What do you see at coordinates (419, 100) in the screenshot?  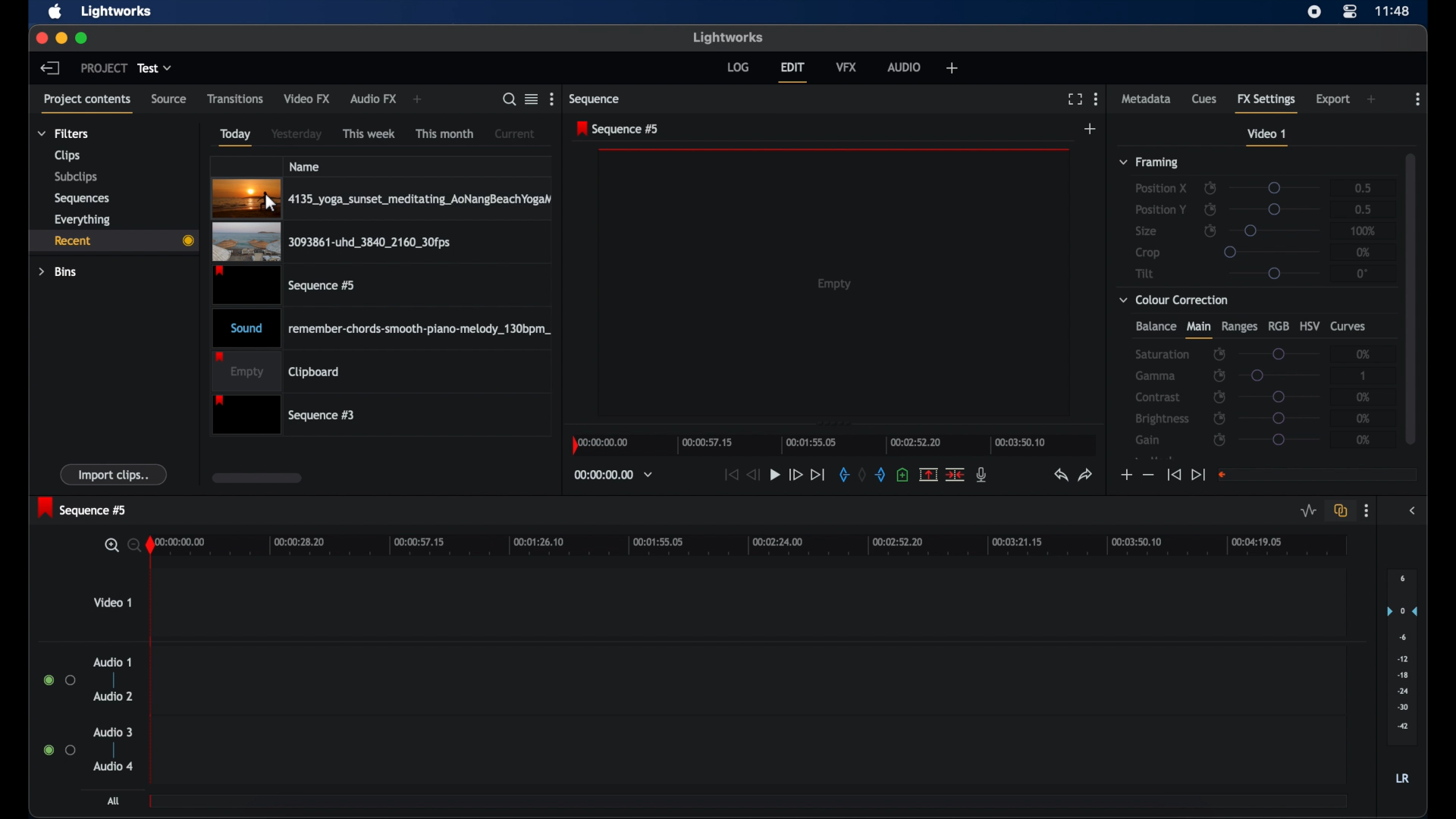 I see `add` at bounding box center [419, 100].